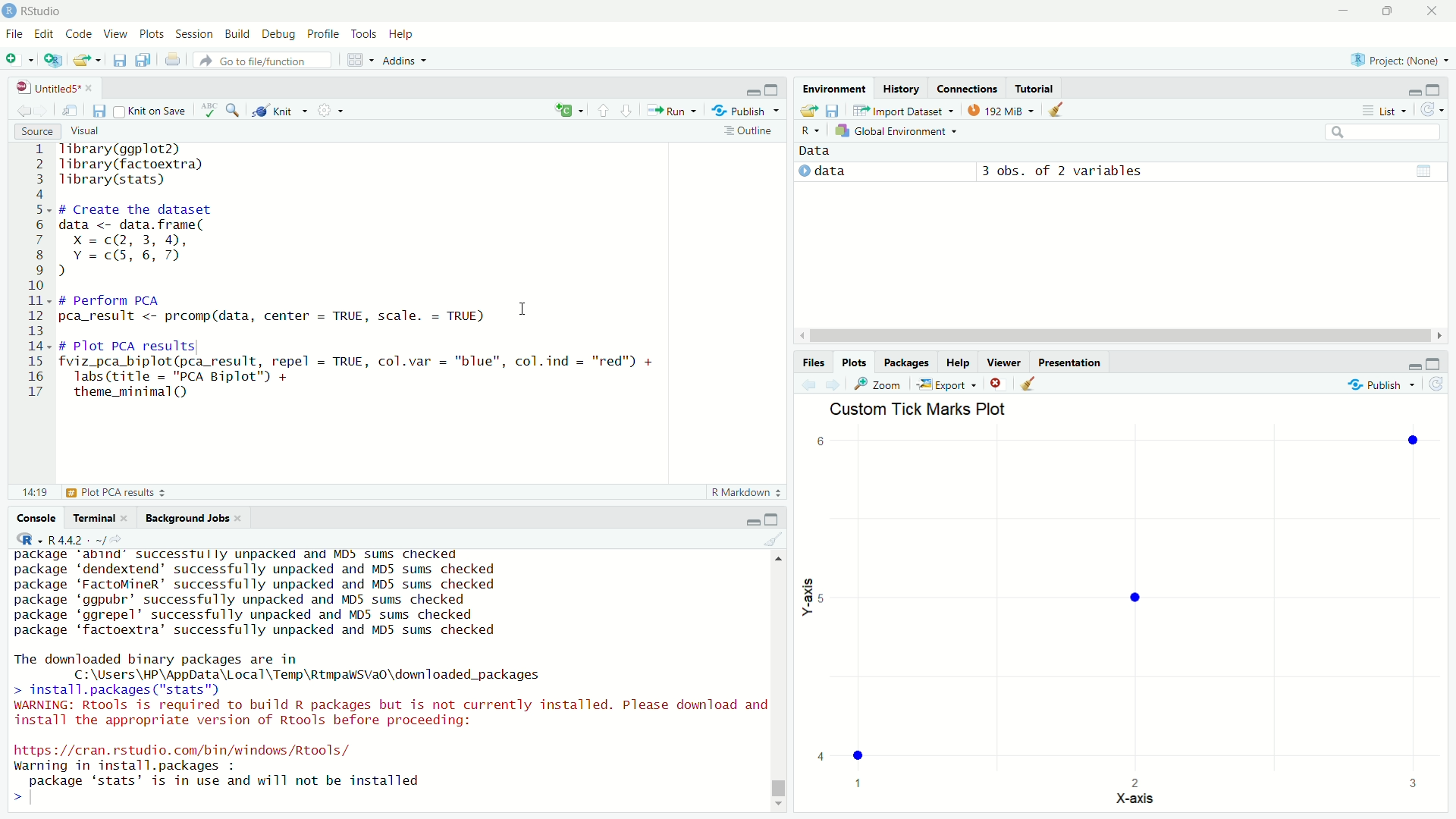  What do you see at coordinates (15, 35) in the screenshot?
I see `File` at bounding box center [15, 35].